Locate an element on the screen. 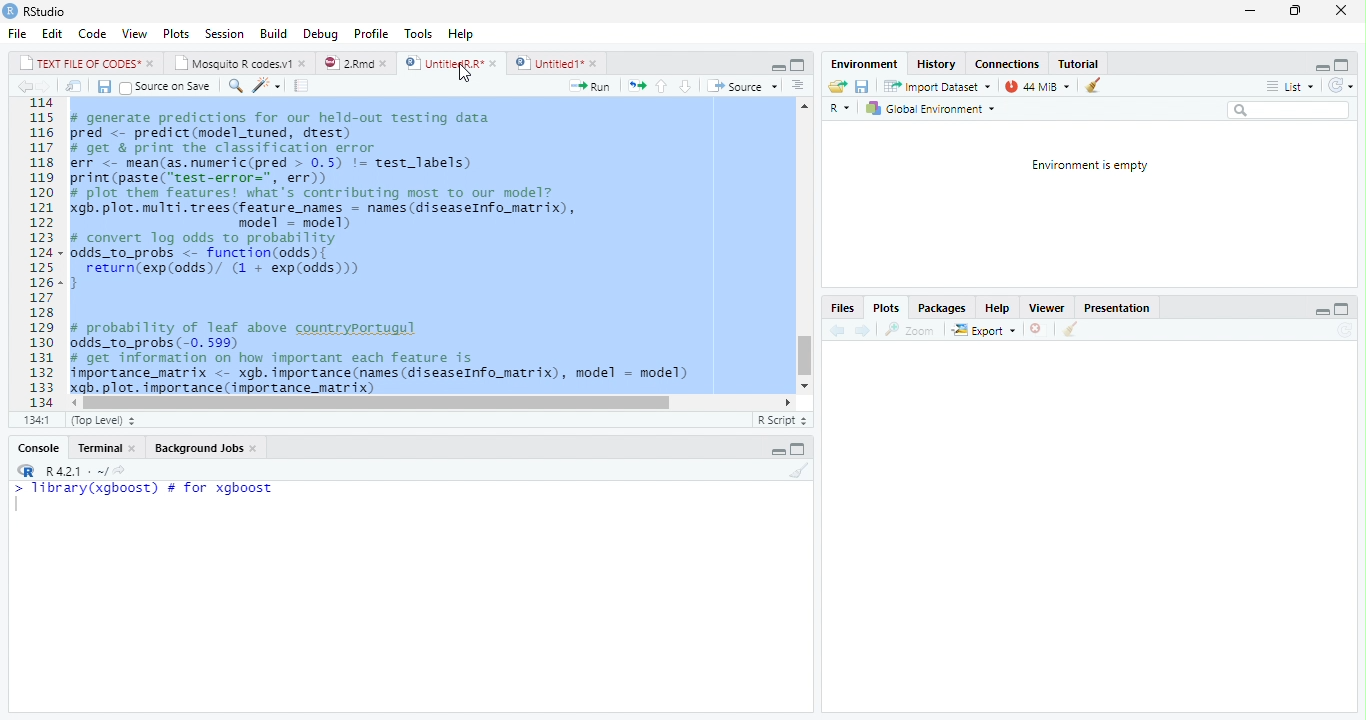 The height and width of the screenshot is (720, 1366). # generate predictions for our held-out testing data
pred <- predict(model_tuned, drest)
# get & print the classification error
err <- mean(as.numeric(pred > 0.5) != test_labels)
print (paste(“test-error=", err))
# plot them features! what's contributing most to our model?
gb. plot. multi. trees (feature_names = names (diseaseInfo_matrix),
model = model)
# convert log odds to probability
odds_to_probs <- function(odds){
return(exp(odds)/ (1 + exp(0dds)))
3 is located at coordinates (334, 204).